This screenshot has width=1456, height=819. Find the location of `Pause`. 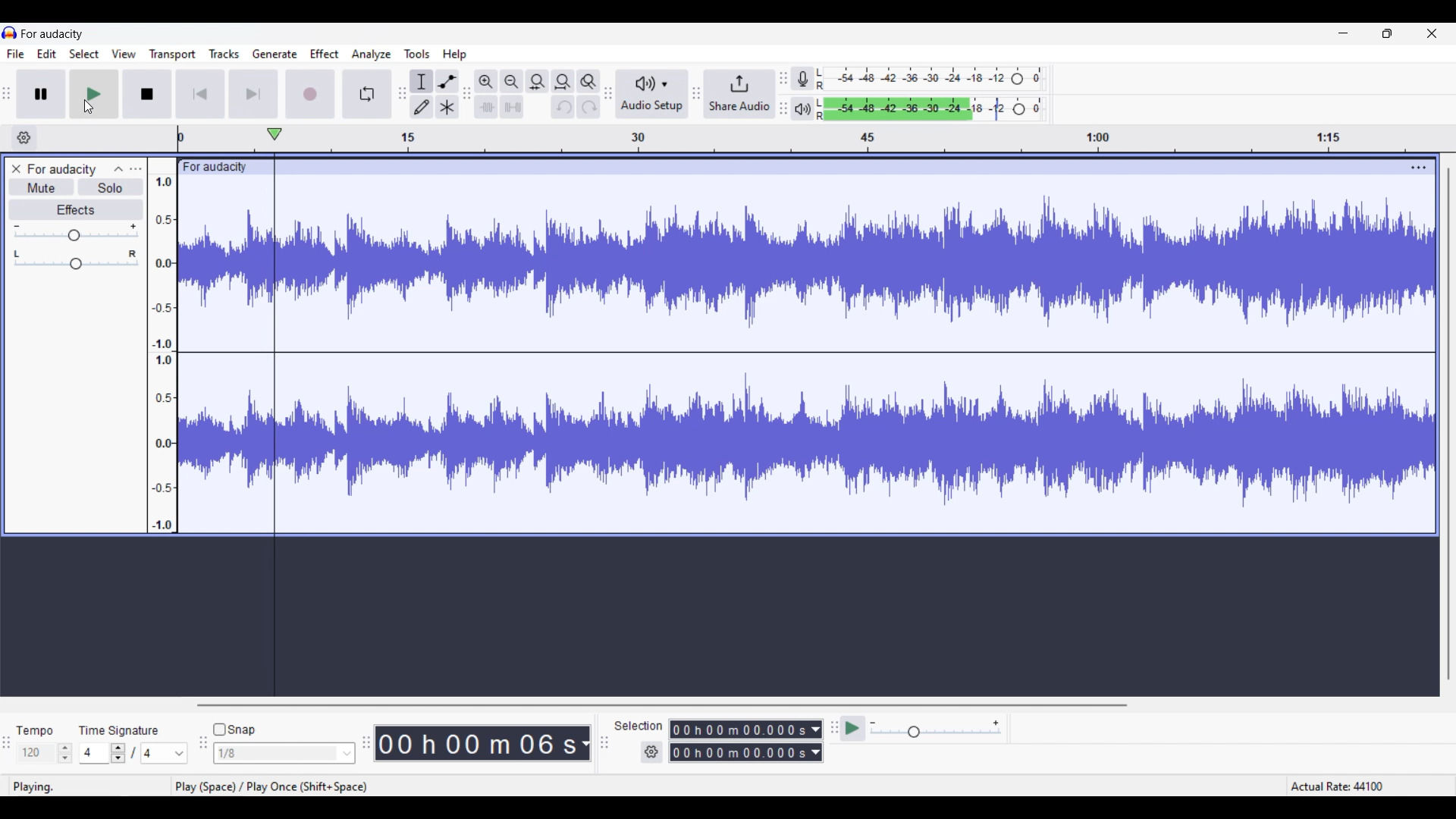

Pause is located at coordinates (40, 93).